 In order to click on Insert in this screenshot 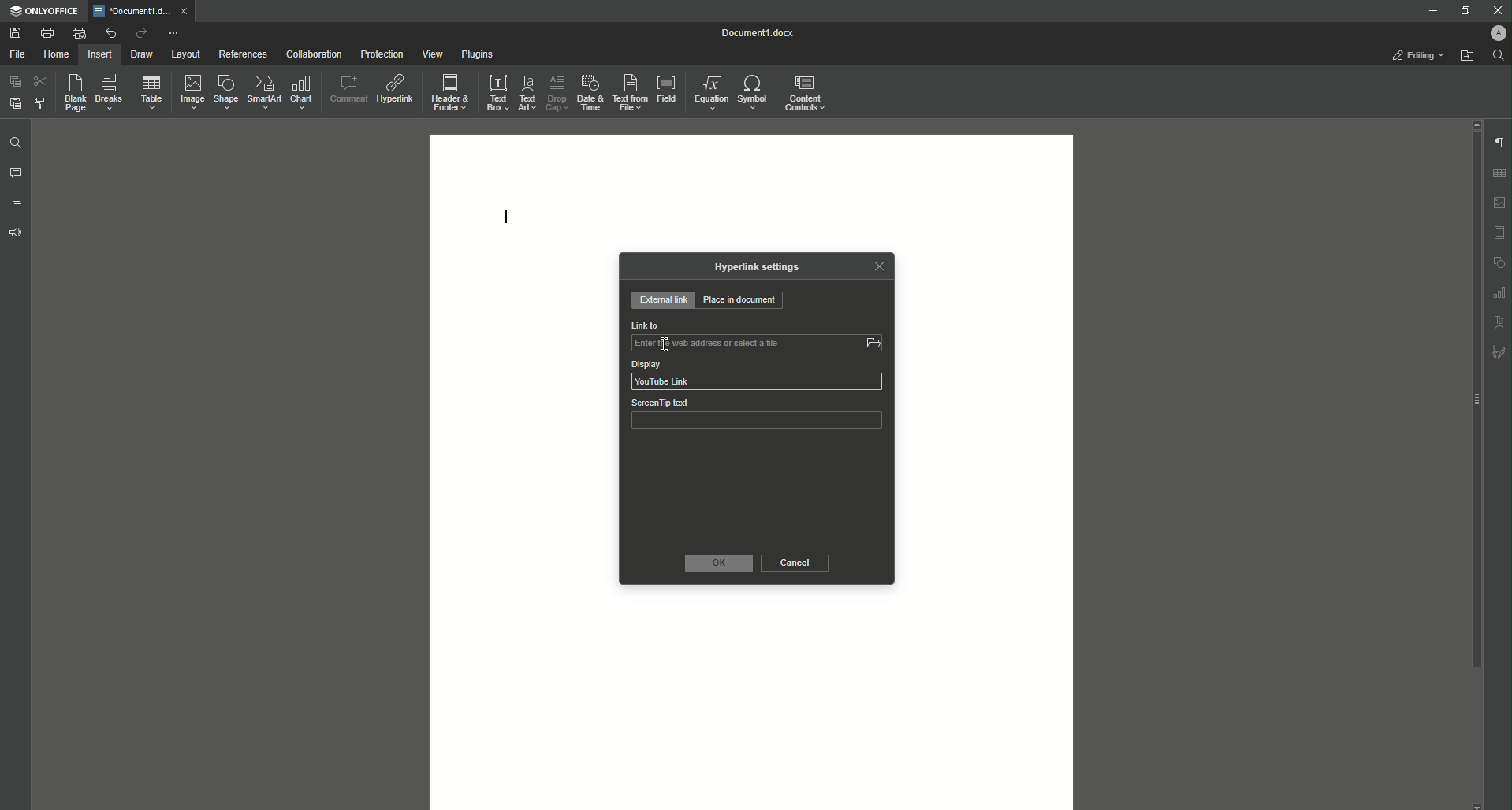, I will do `click(101, 54)`.